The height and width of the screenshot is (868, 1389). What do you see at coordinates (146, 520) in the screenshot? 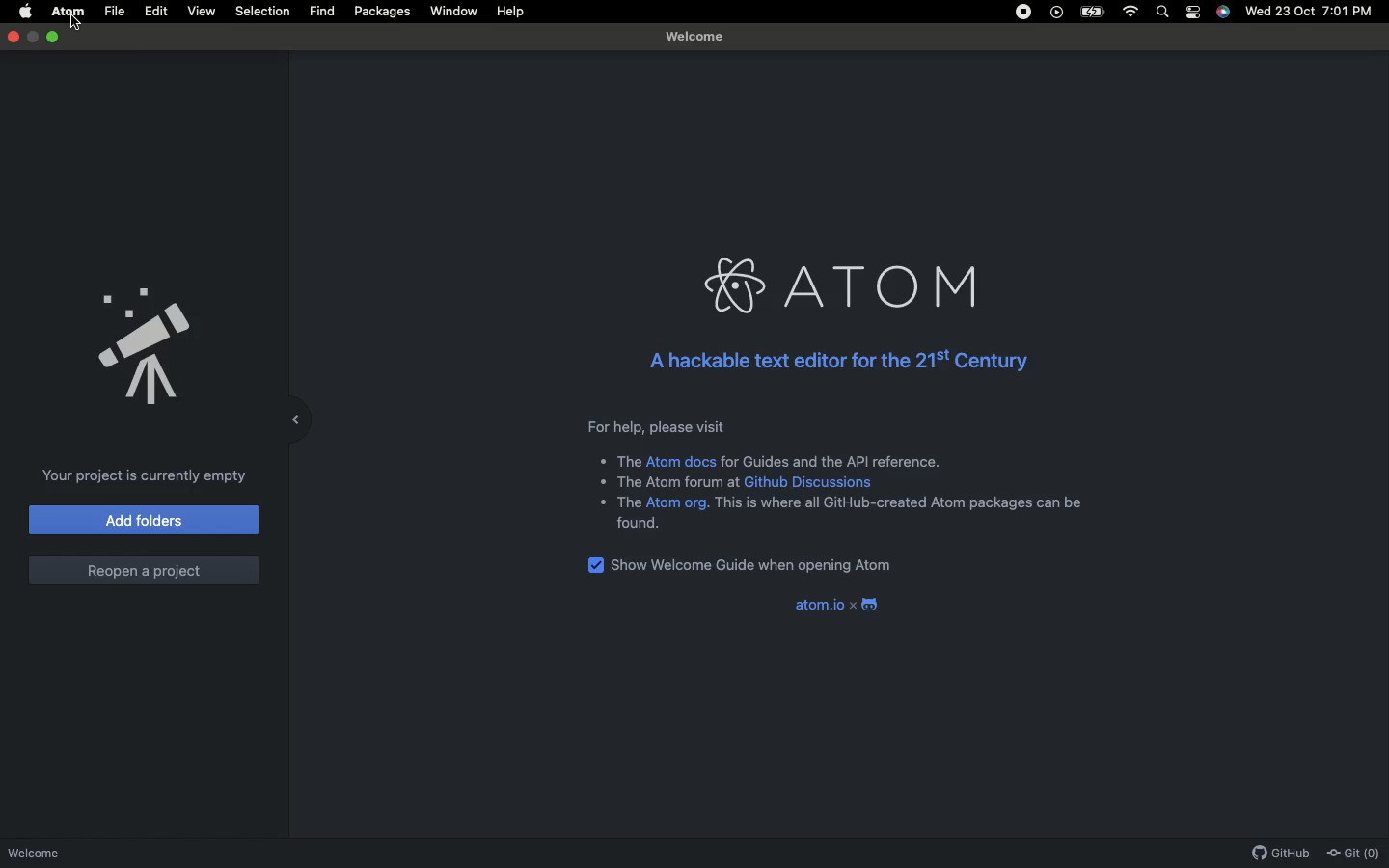
I see `Add folders` at bounding box center [146, 520].